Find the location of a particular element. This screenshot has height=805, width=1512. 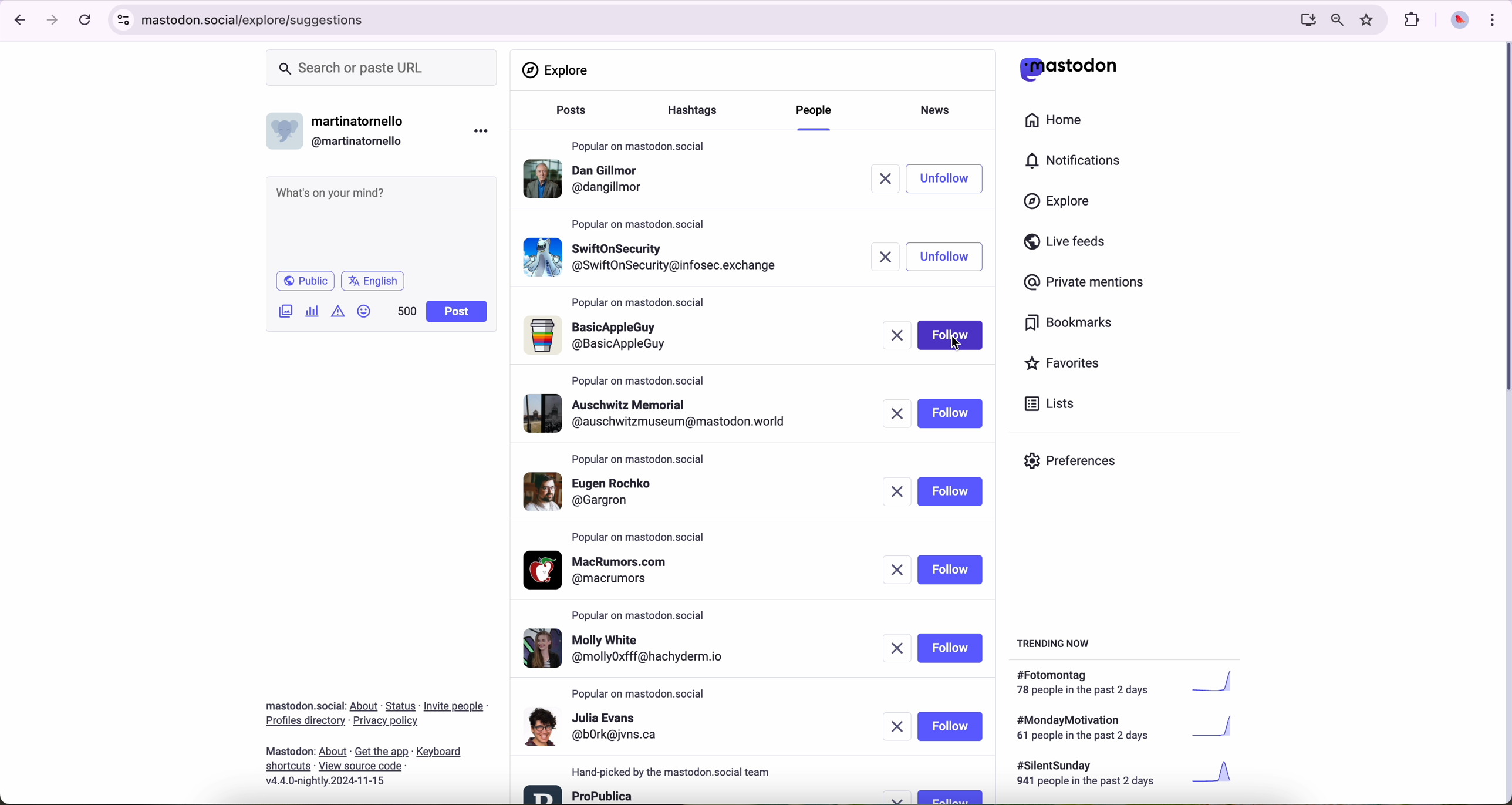

URL is located at coordinates (258, 18).